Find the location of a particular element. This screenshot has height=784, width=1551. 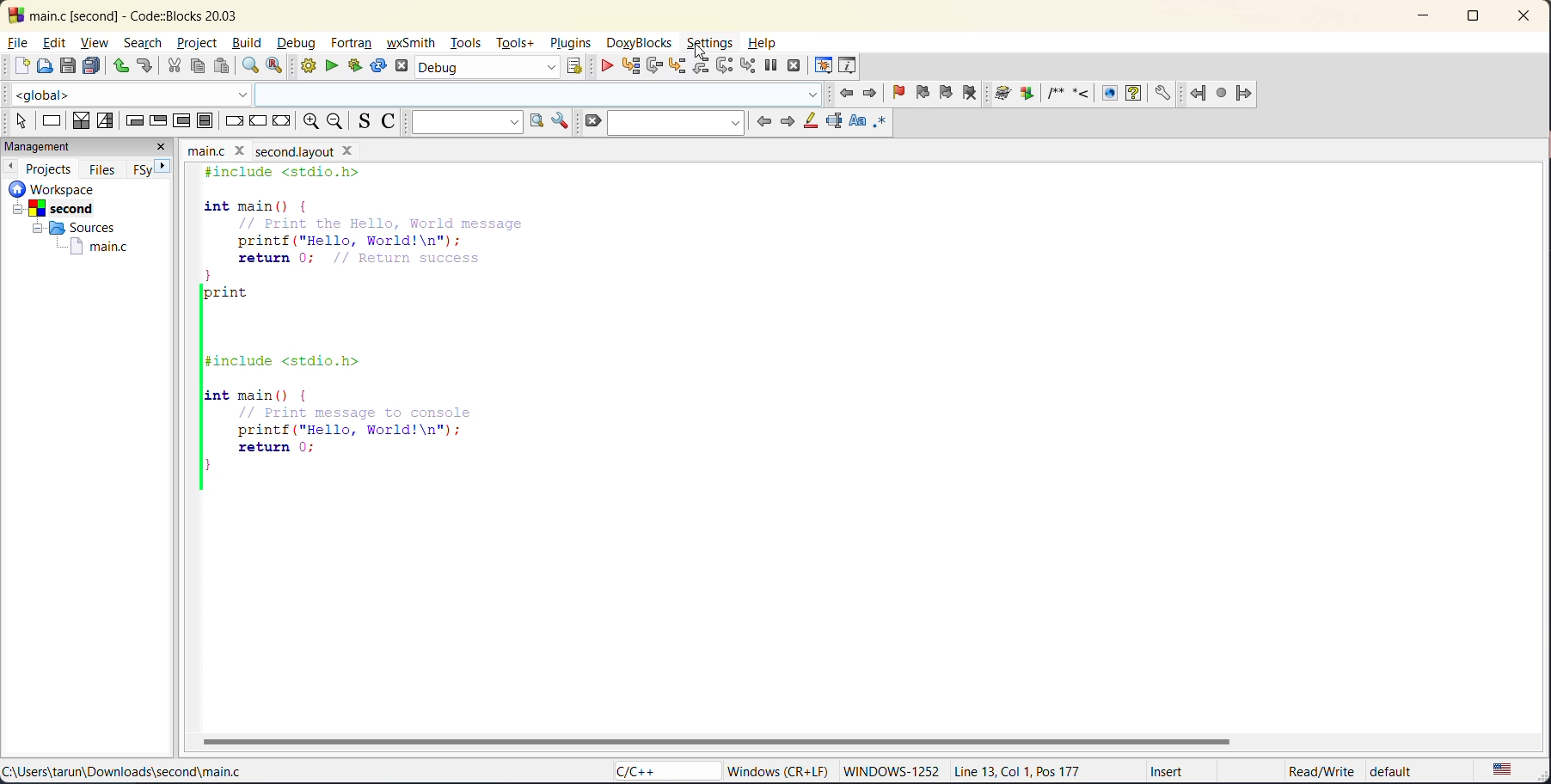

FSy is located at coordinates (144, 168).